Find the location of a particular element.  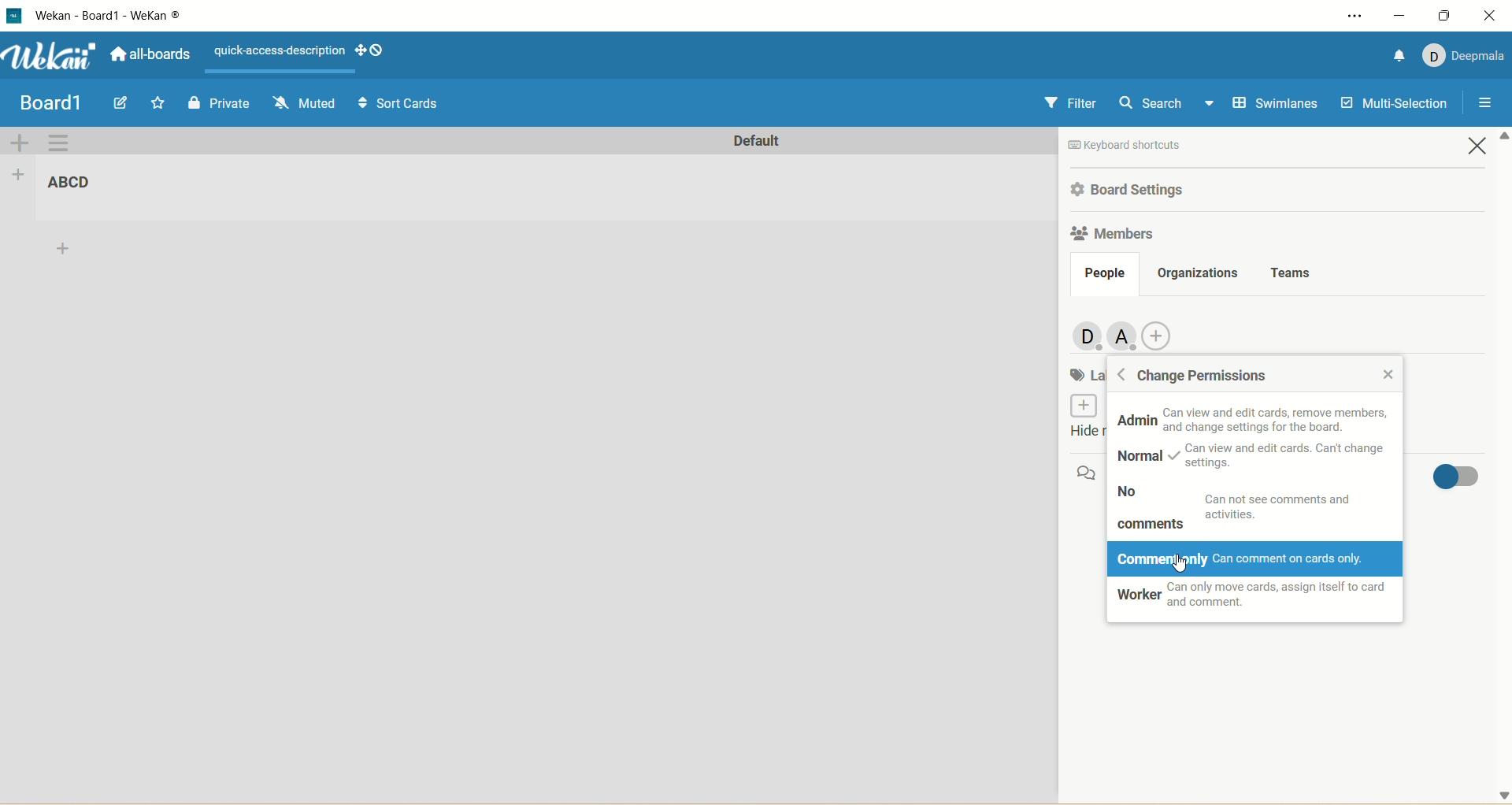

vertical scroll bar is located at coordinates (1503, 467).